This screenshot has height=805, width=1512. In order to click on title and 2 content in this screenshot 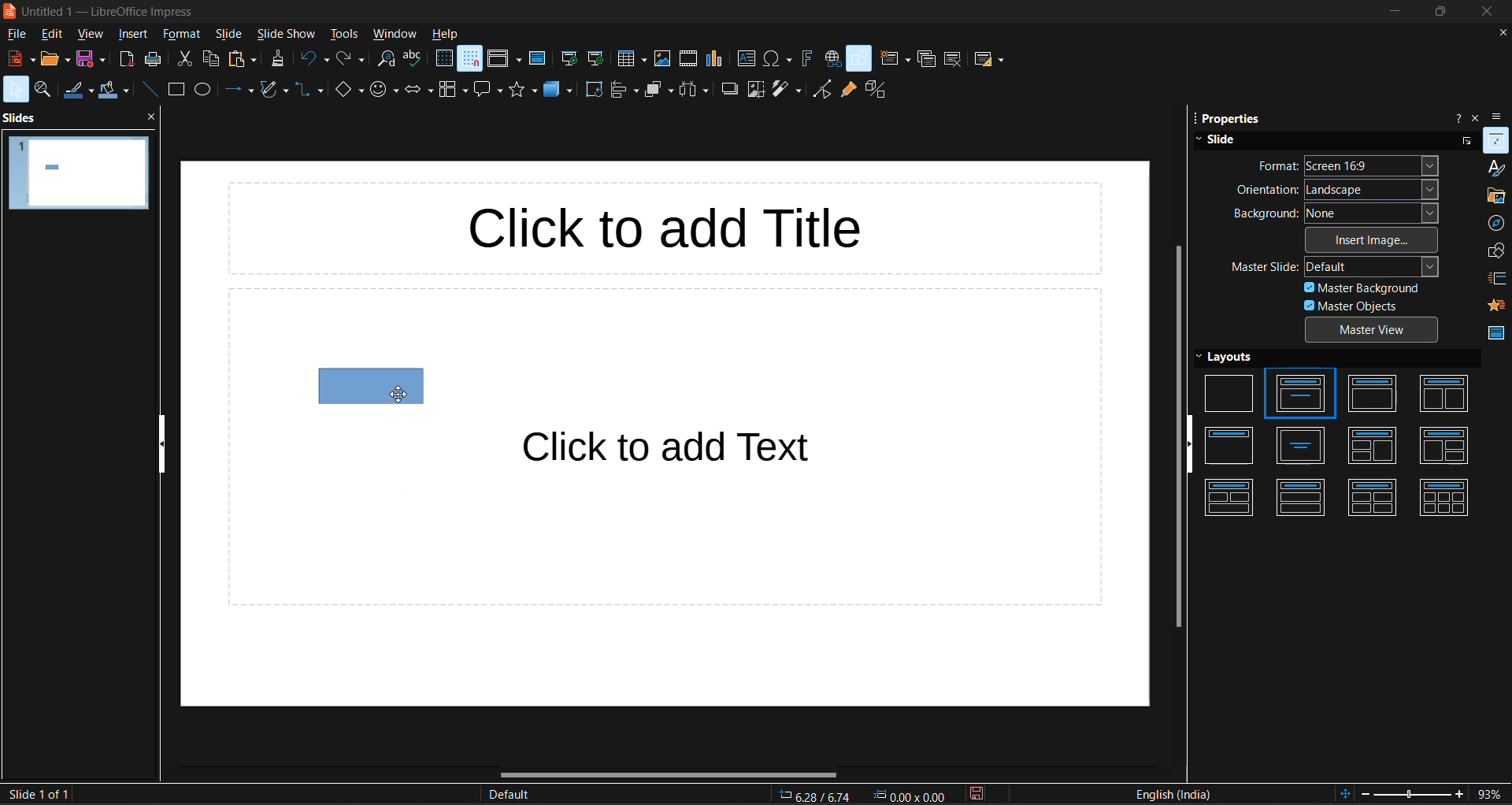, I will do `click(1444, 393)`.